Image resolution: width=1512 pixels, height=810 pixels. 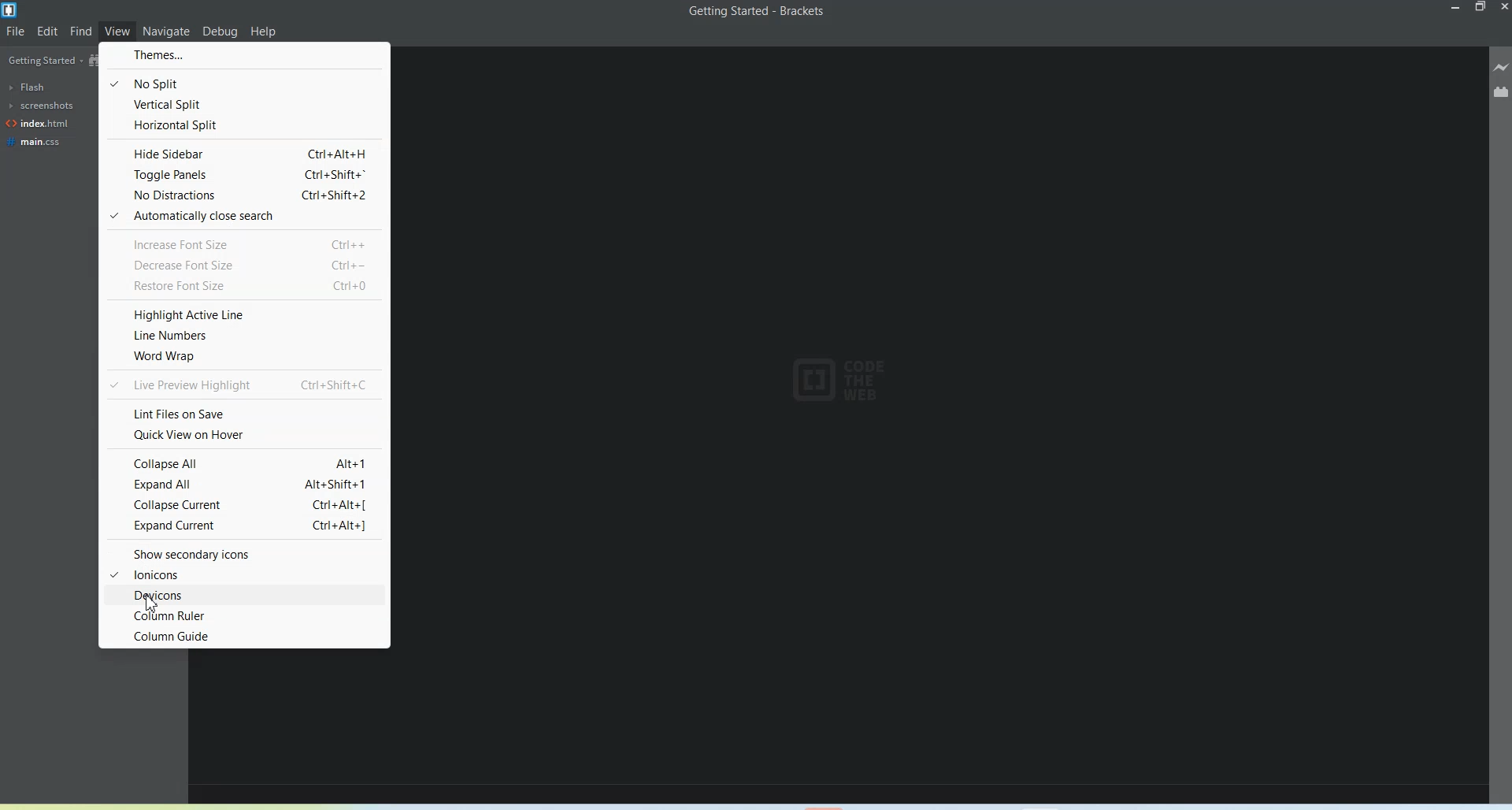 I want to click on Line Number, so click(x=244, y=335).